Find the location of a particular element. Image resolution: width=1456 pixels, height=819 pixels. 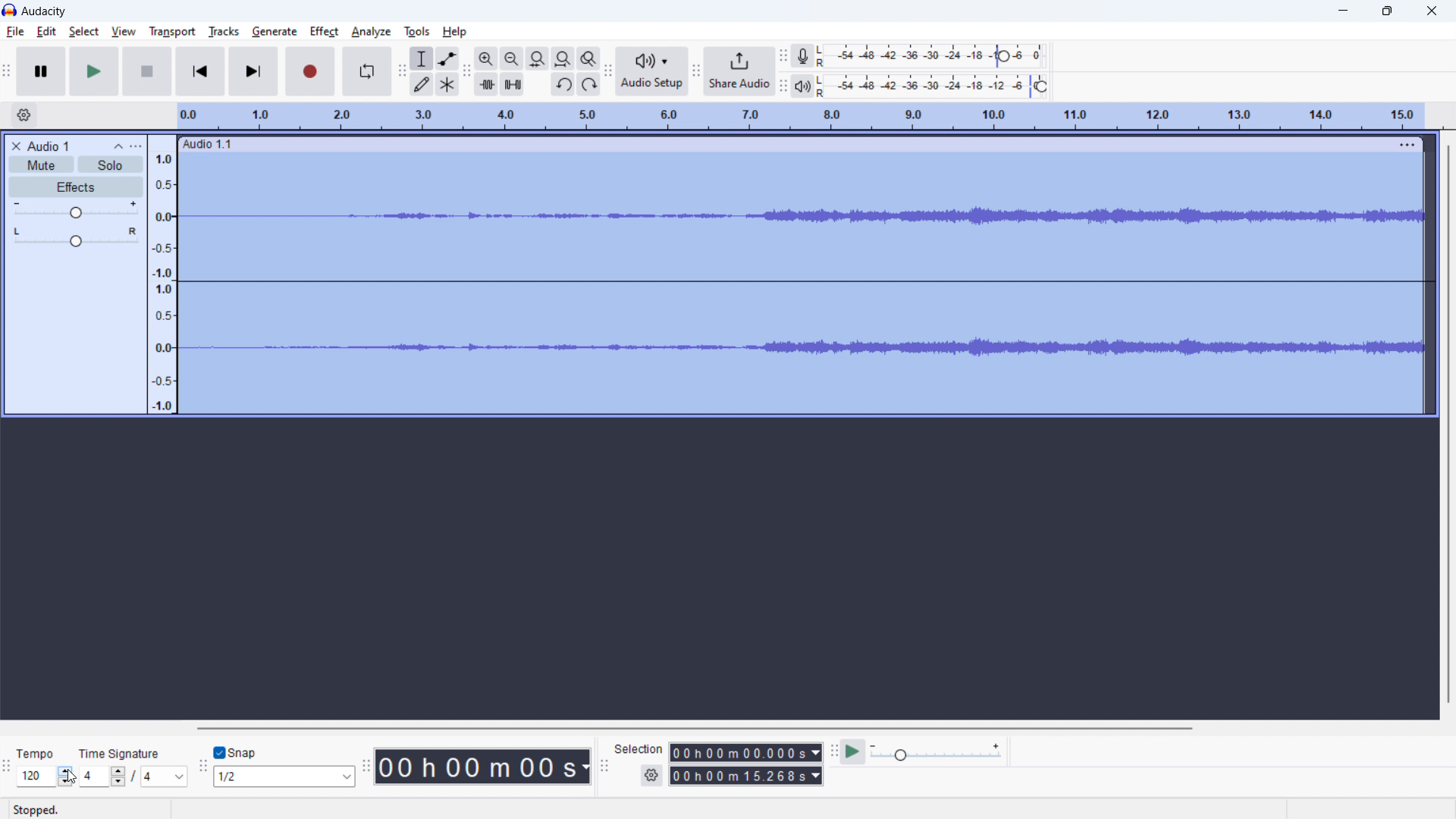

close is located at coordinates (1431, 11).